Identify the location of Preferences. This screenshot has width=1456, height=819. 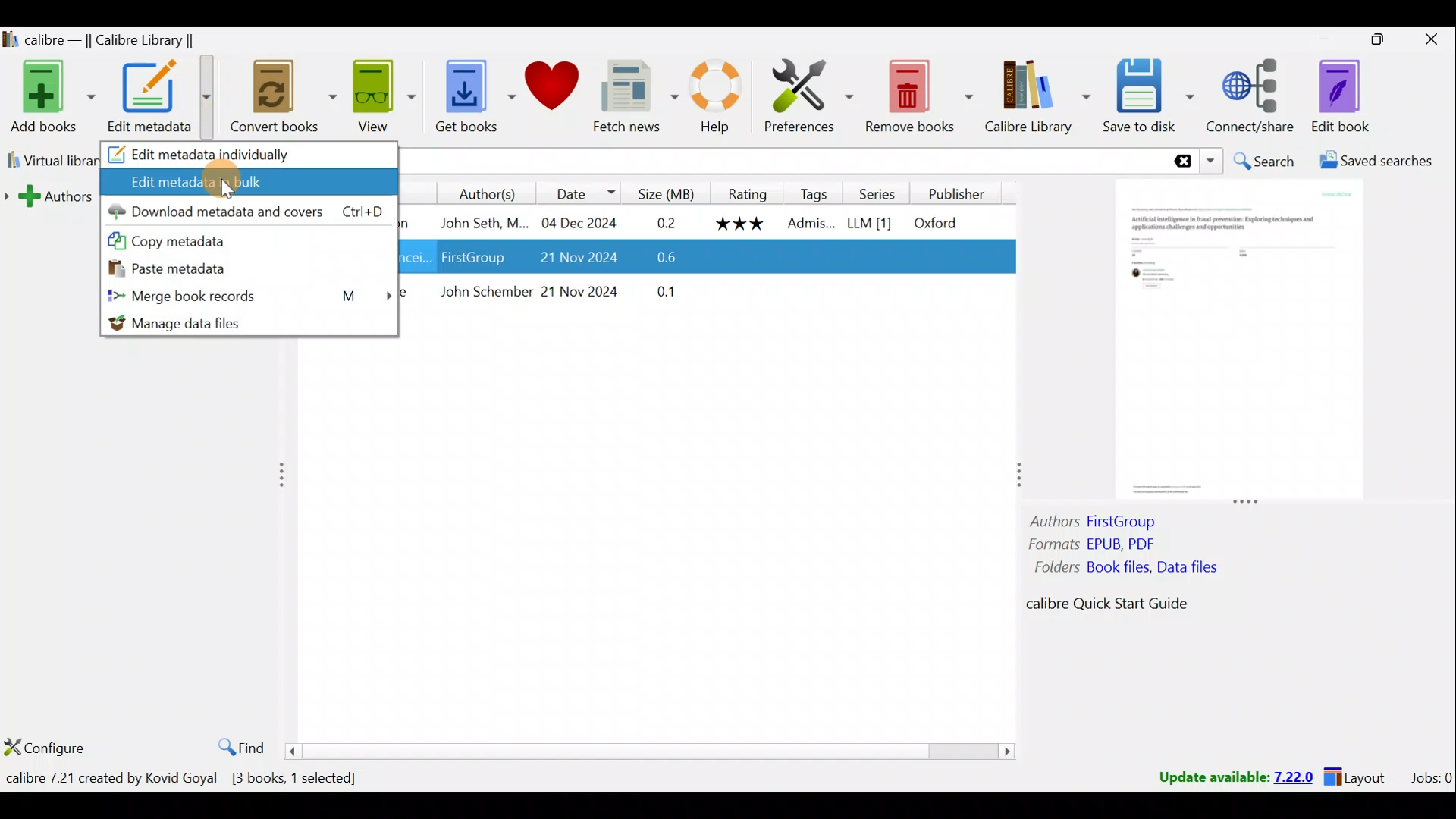
(802, 99).